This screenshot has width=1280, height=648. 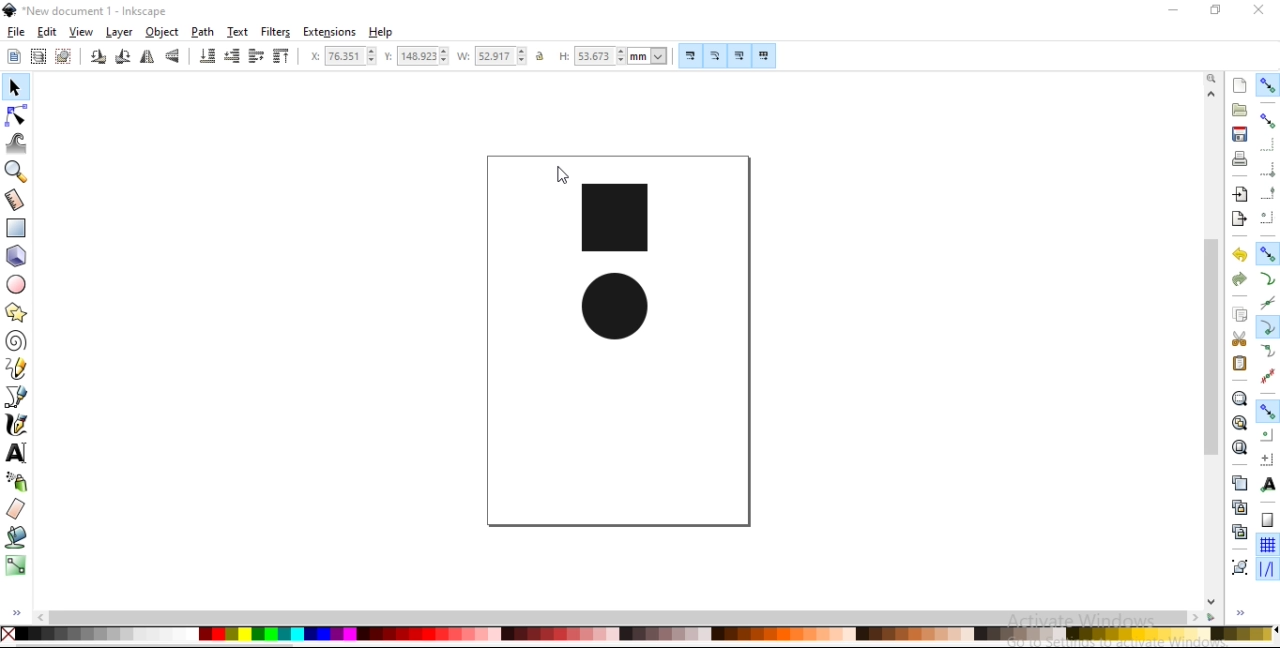 I want to click on new document 1 -Inksacpe, so click(x=92, y=11).